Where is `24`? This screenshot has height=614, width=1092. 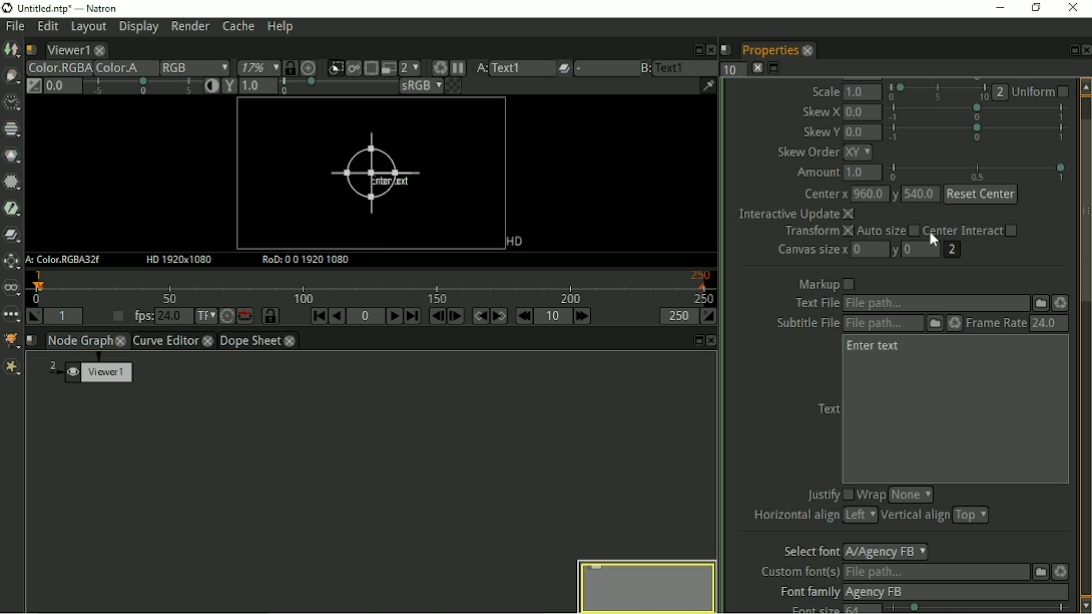
24 is located at coordinates (1046, 323).